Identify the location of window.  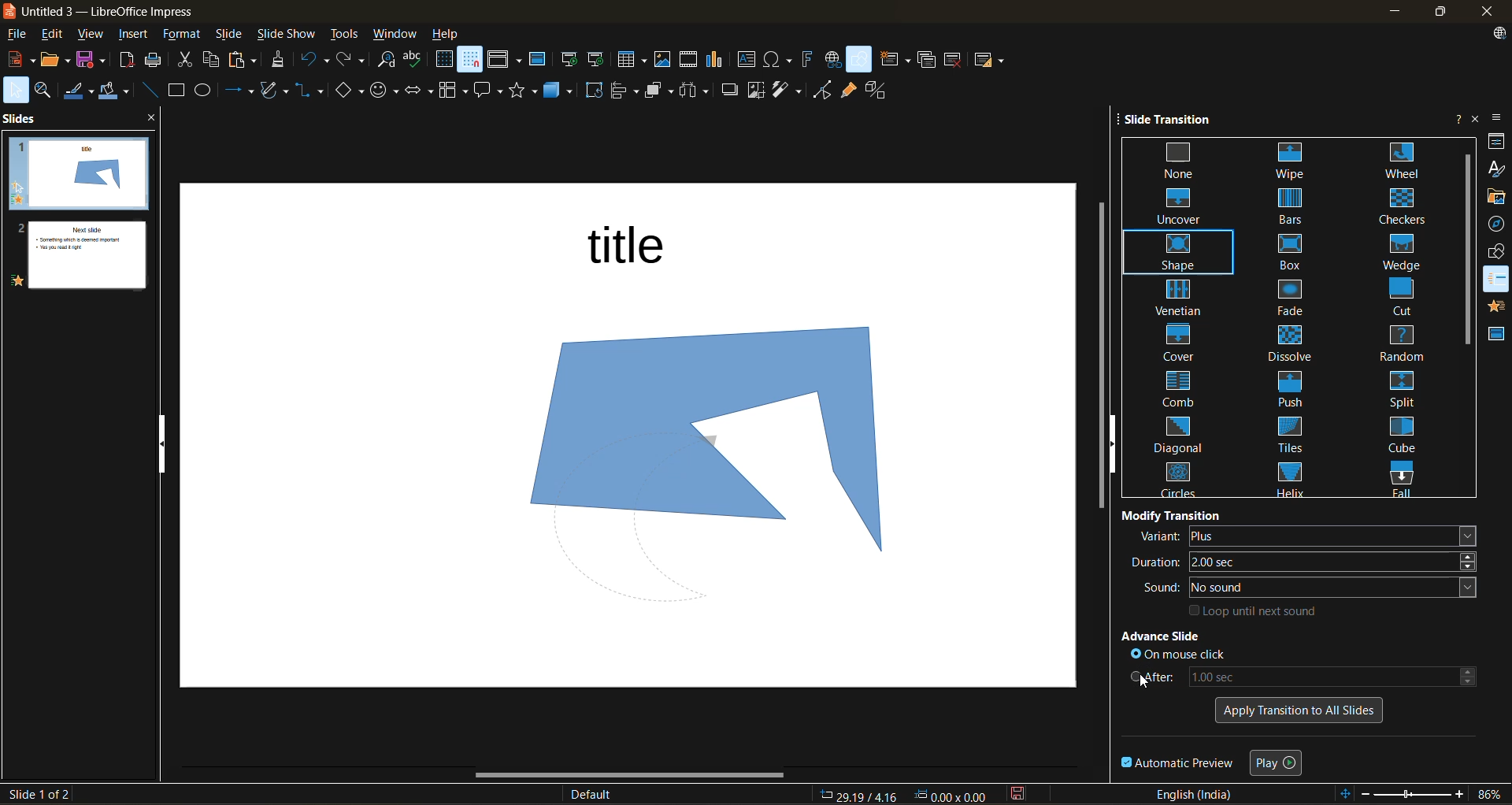
(397, 34).